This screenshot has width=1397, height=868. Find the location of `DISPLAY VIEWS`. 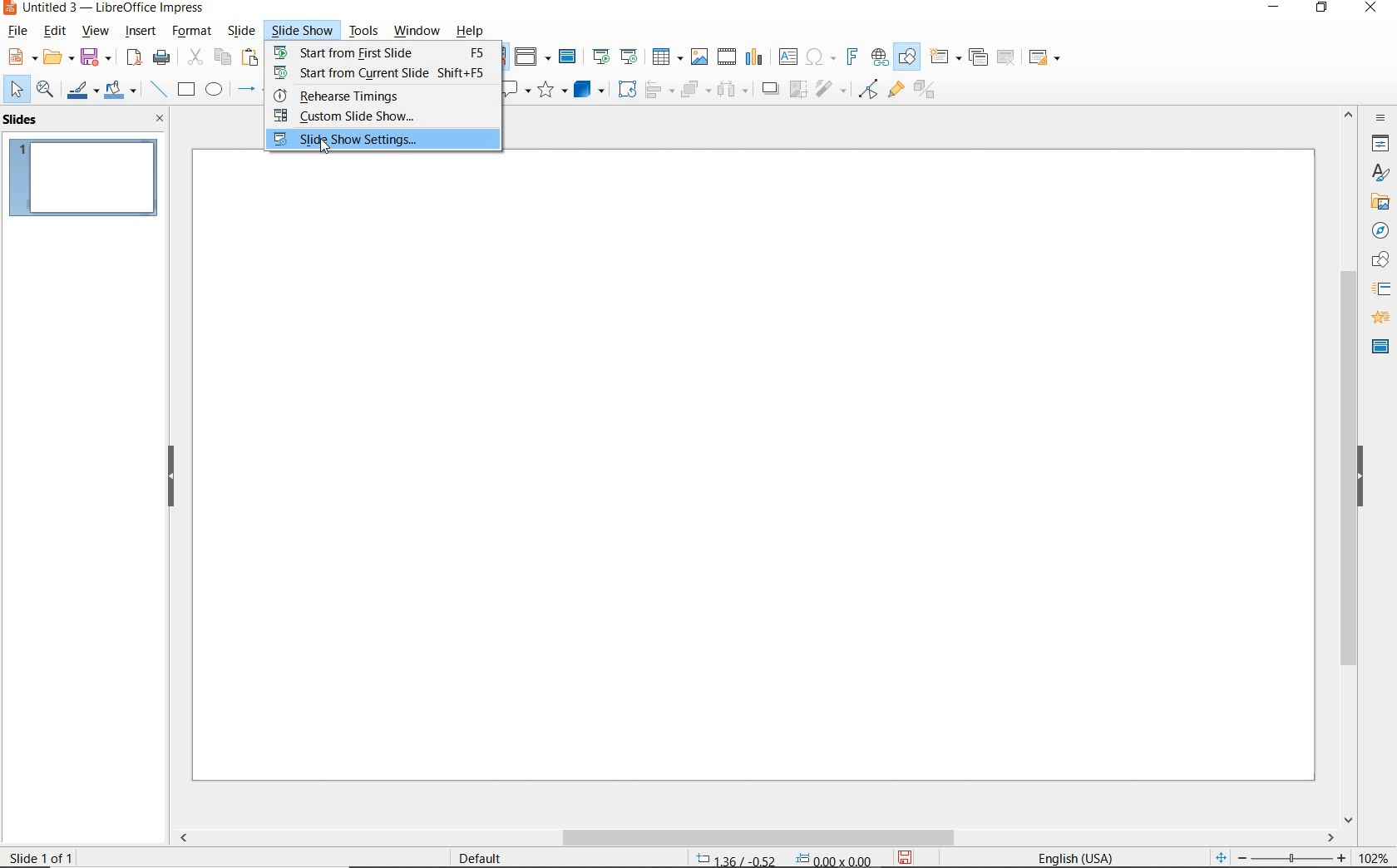

DISPLAY VIEWS is located at coordinates (533, 57).